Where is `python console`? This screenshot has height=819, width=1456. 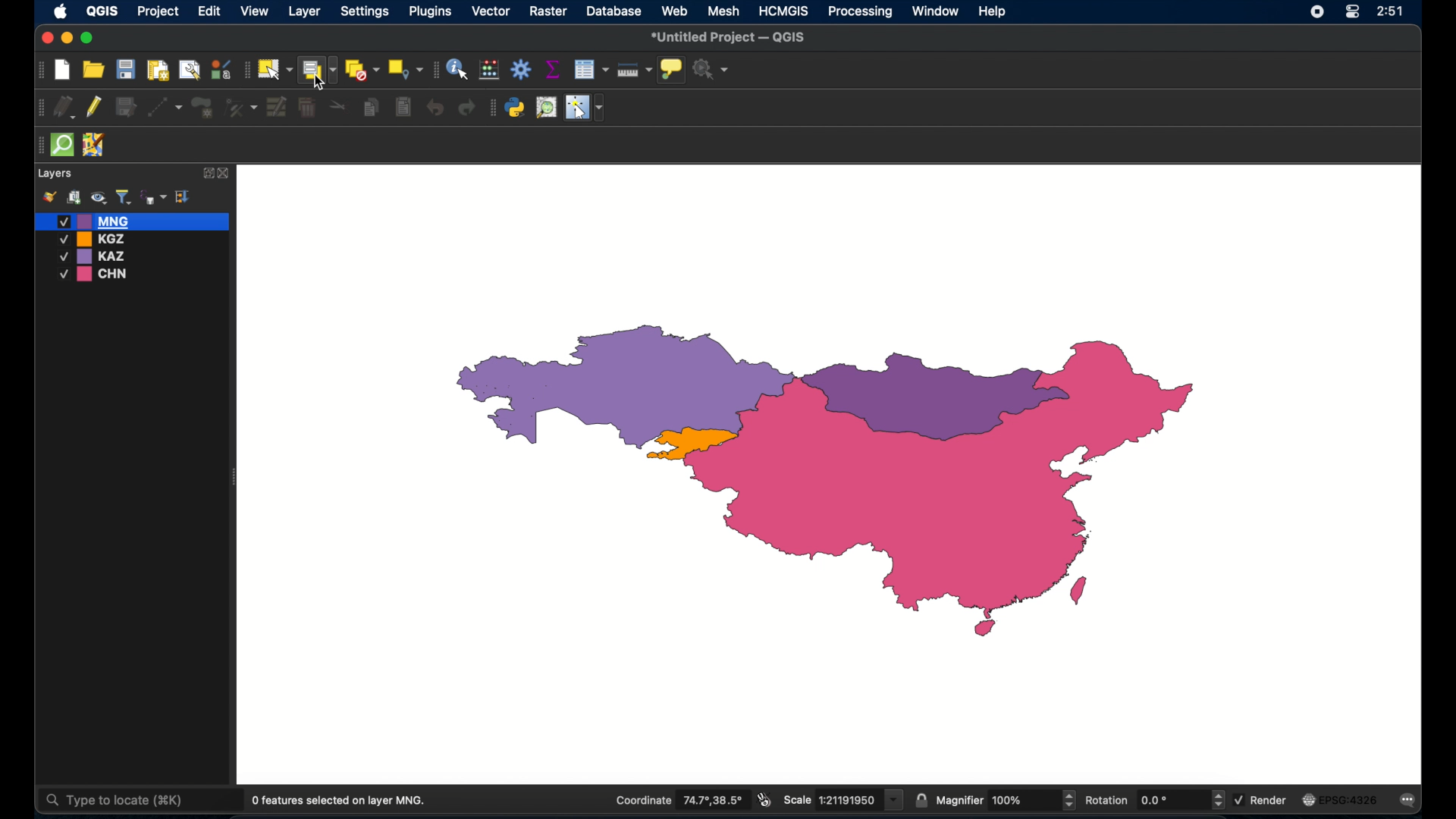
python console is located at coordinates (516, 108).